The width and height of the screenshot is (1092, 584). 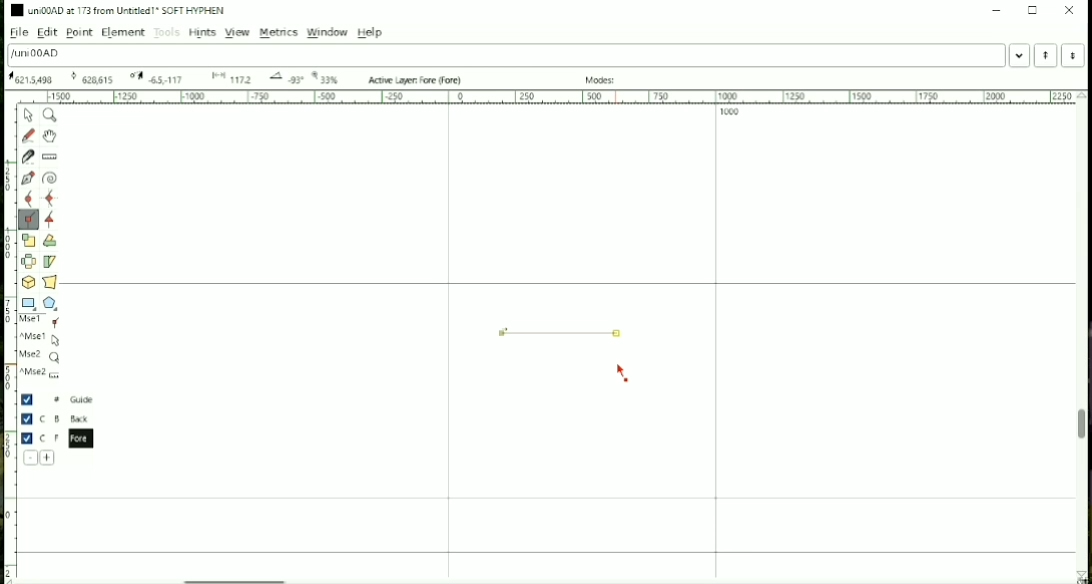 I want to click on Next Word, so click(x=1076, y=55).